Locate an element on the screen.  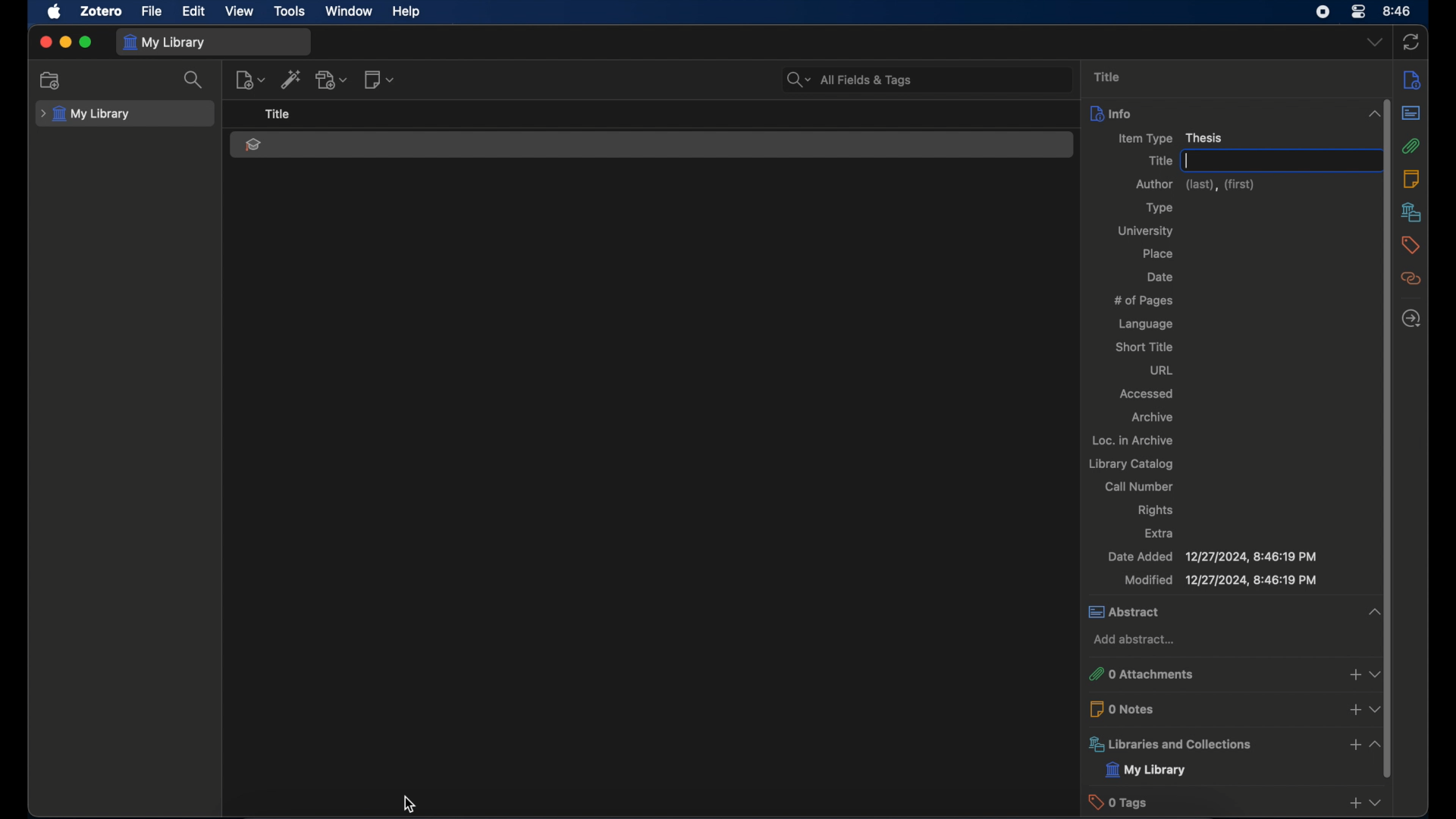
collapse is located at coordinates (1375, 115).